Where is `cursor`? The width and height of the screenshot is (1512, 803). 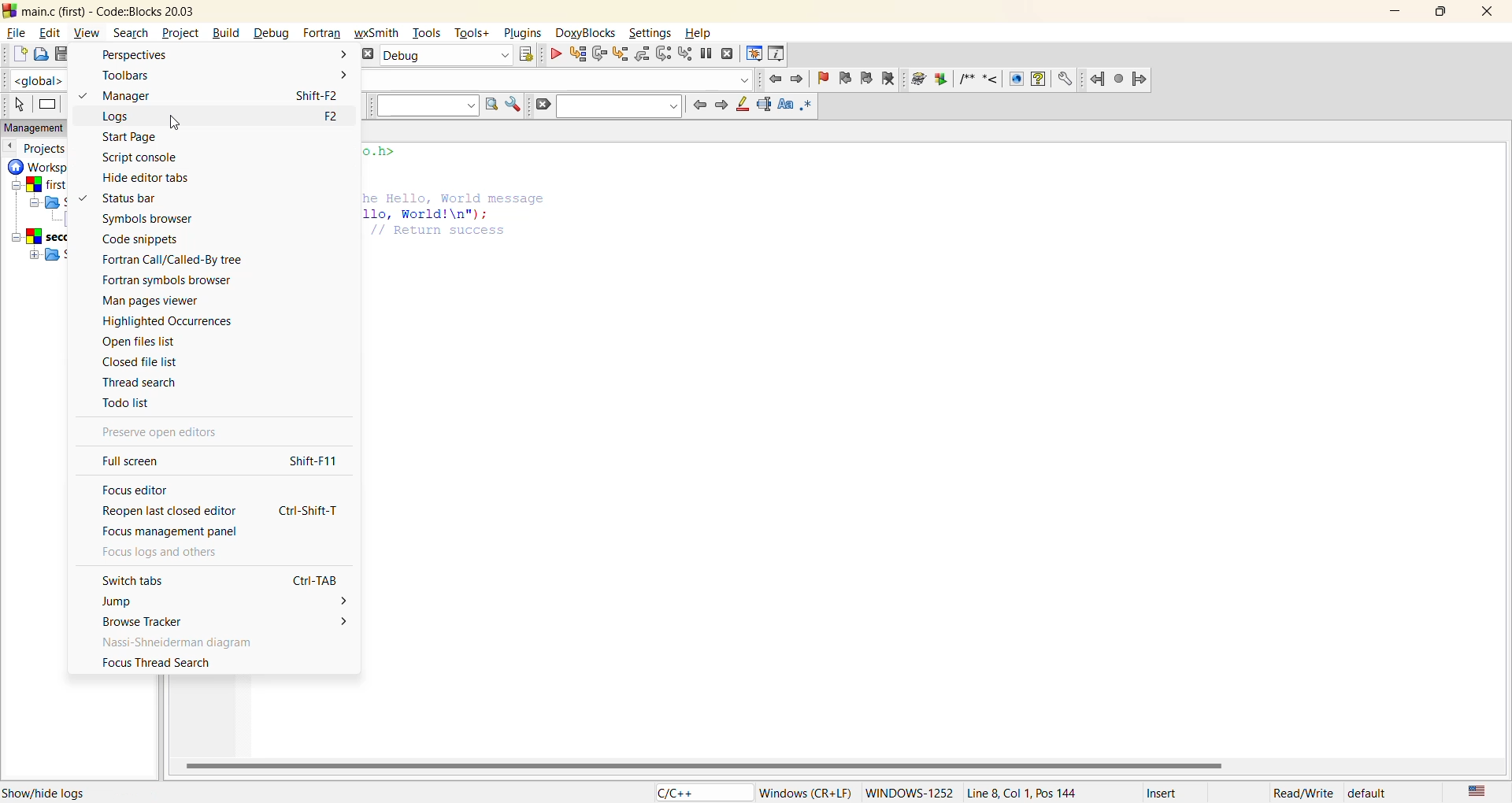 cursor is located at coordinates (176, 123).